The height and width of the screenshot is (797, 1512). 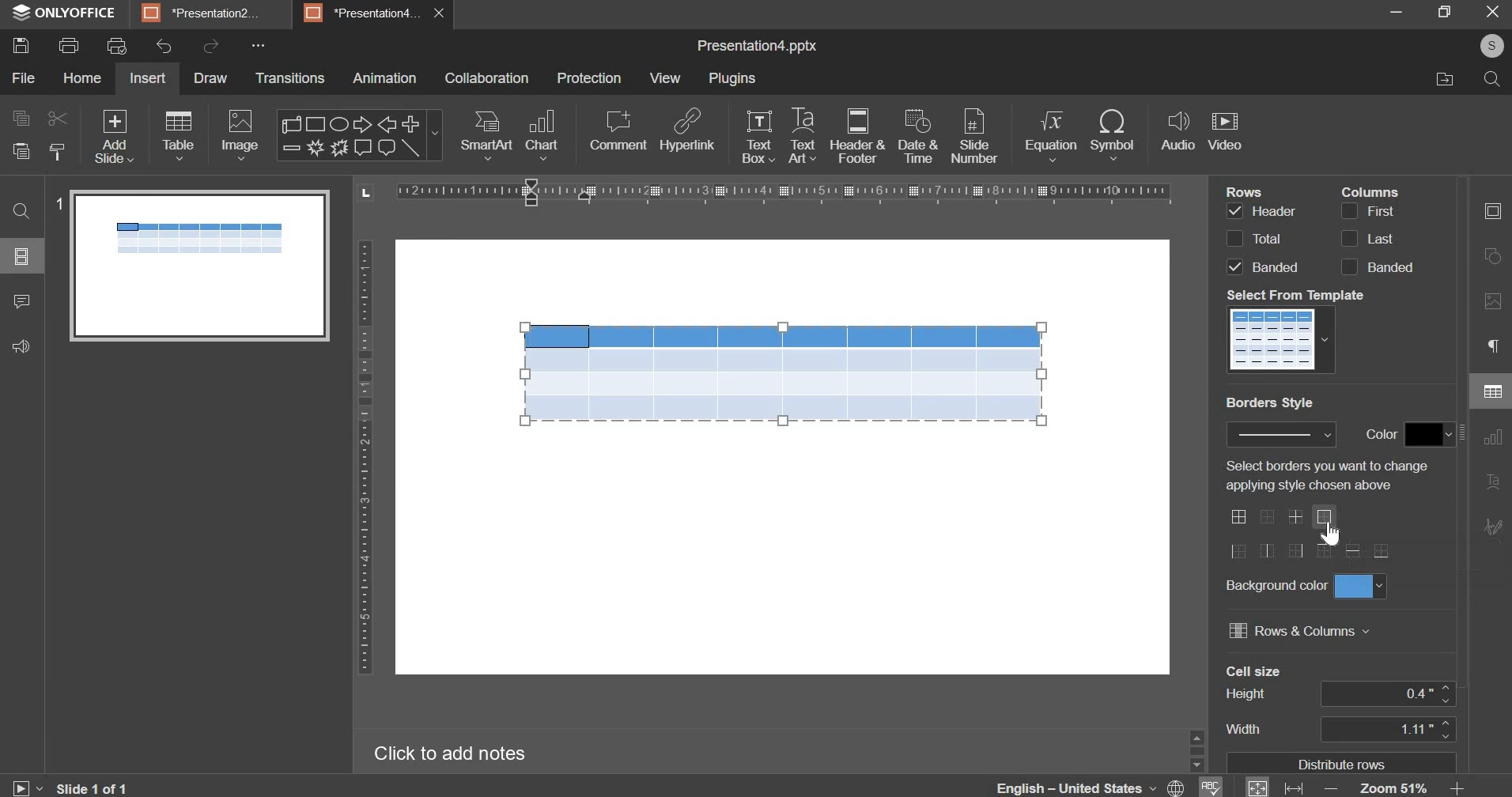 I want to click on *Presentation2..., so click(x=207, y=13).